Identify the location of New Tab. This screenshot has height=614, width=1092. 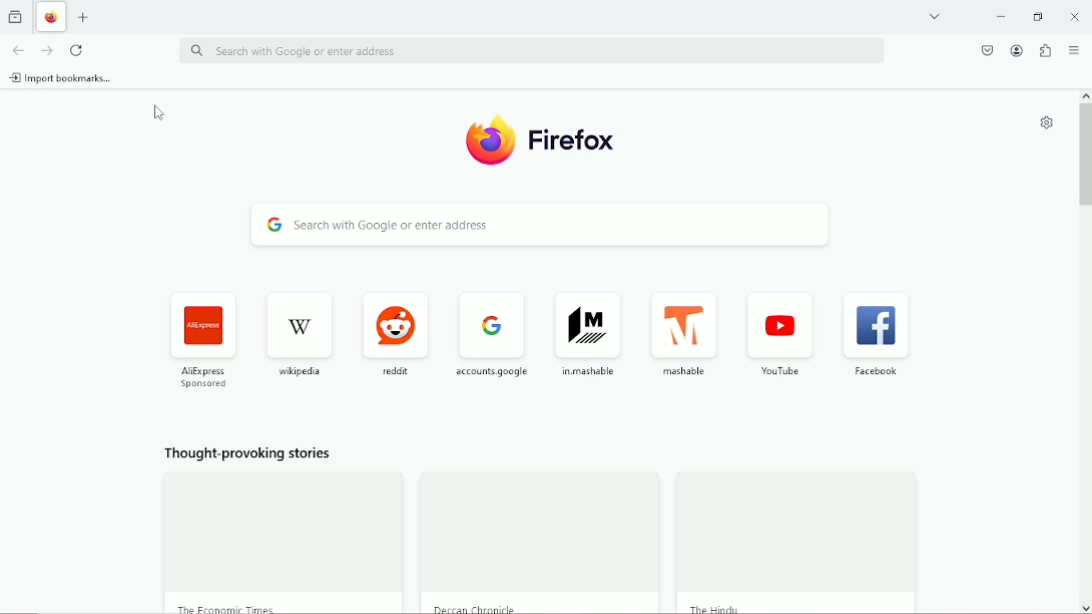
(84, 18).